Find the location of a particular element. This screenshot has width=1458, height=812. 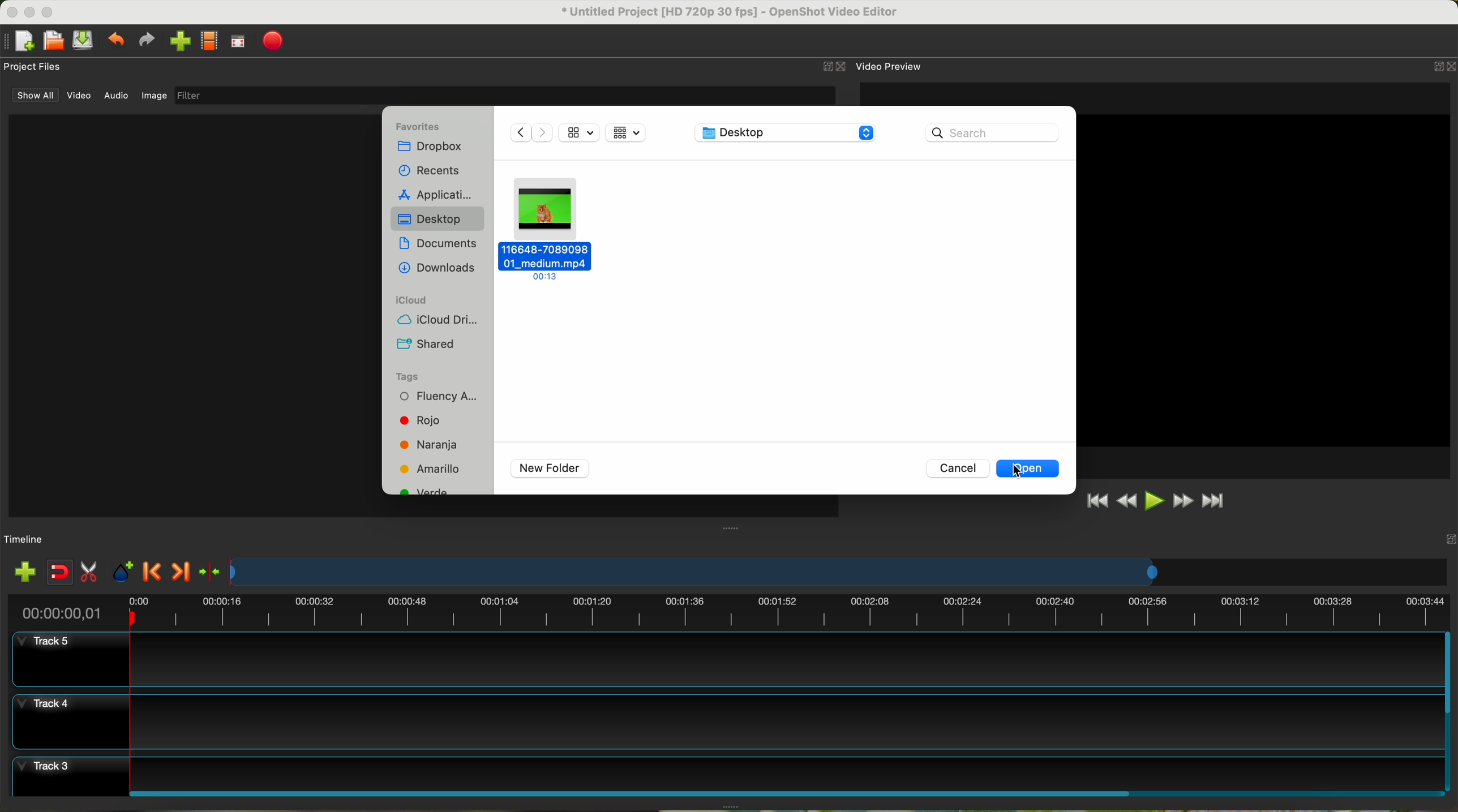

choose profile is located at coordinates (209, 41).